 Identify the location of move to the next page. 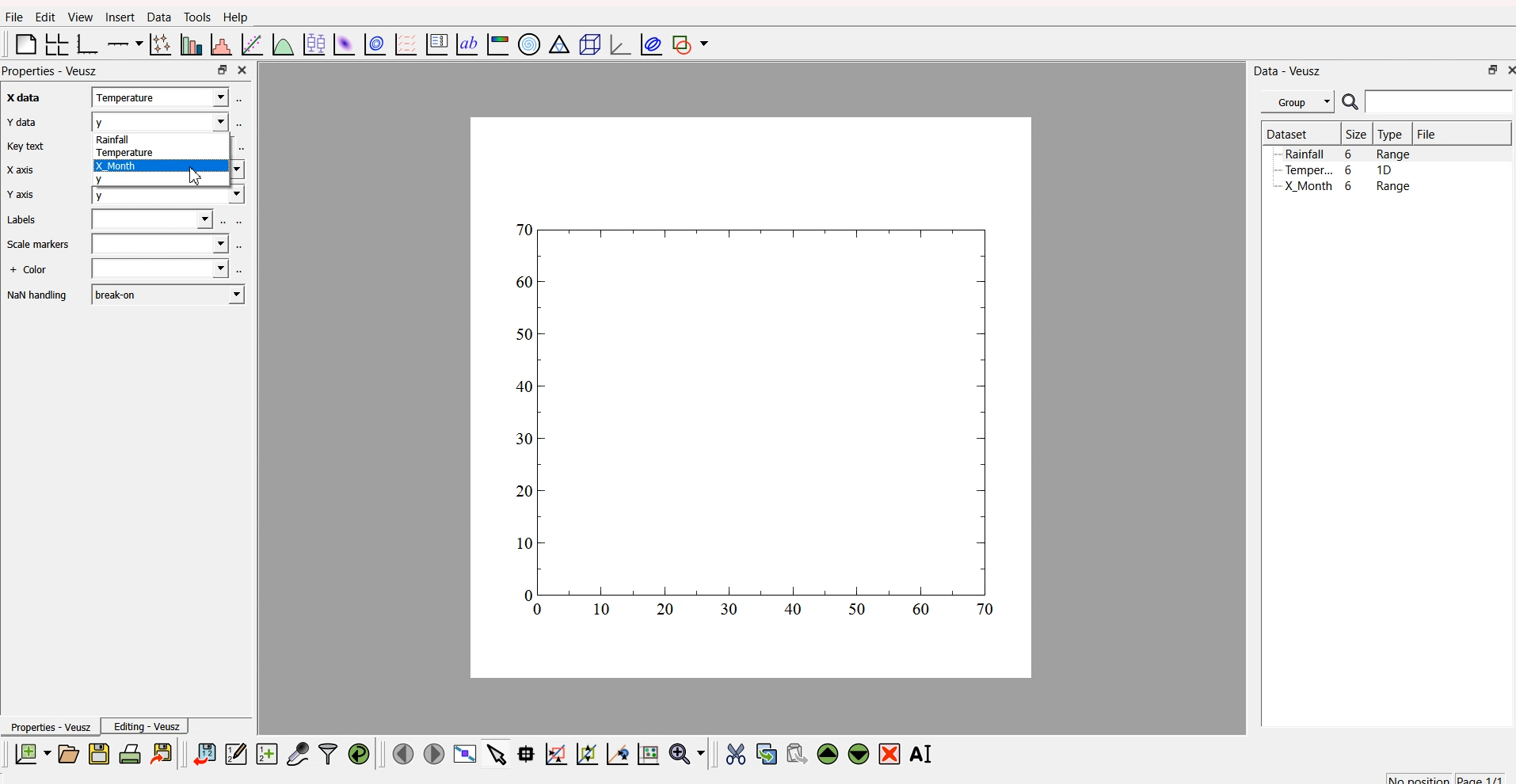
(436, 754).